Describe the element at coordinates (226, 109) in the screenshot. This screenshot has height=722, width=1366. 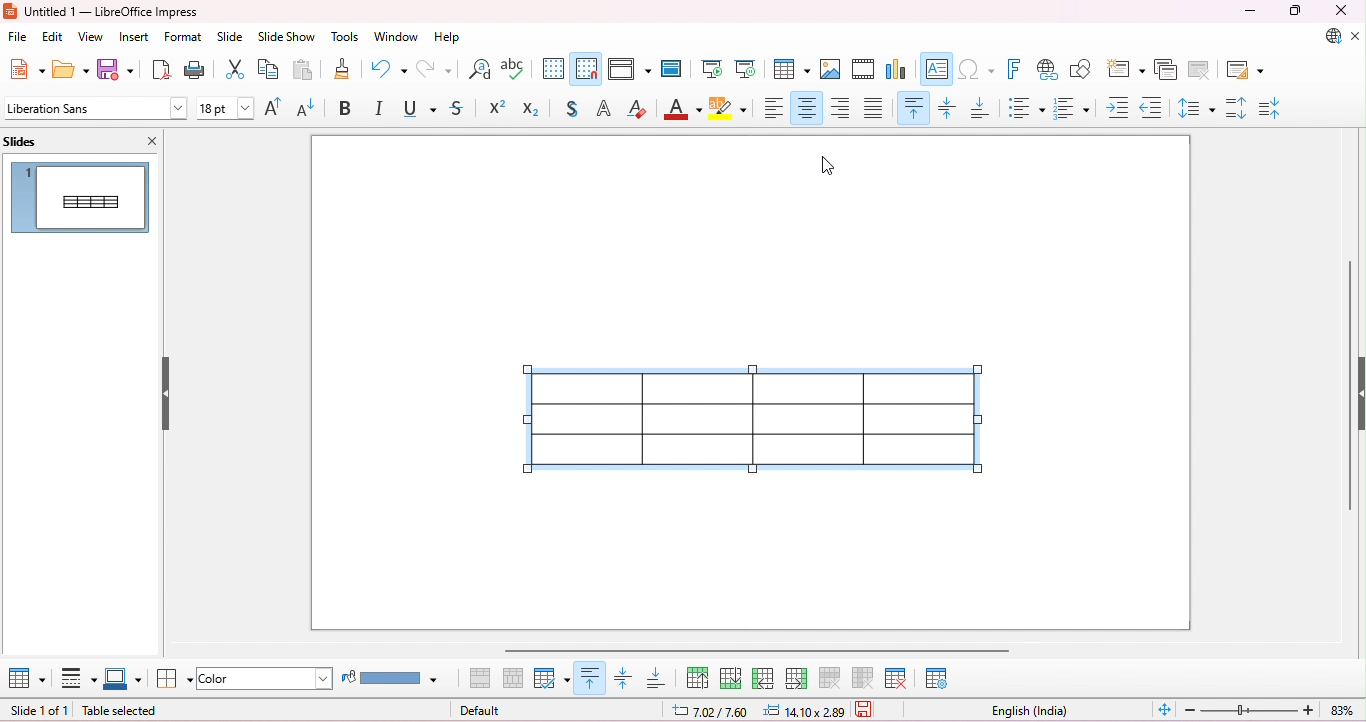
I see `font size` at that location.